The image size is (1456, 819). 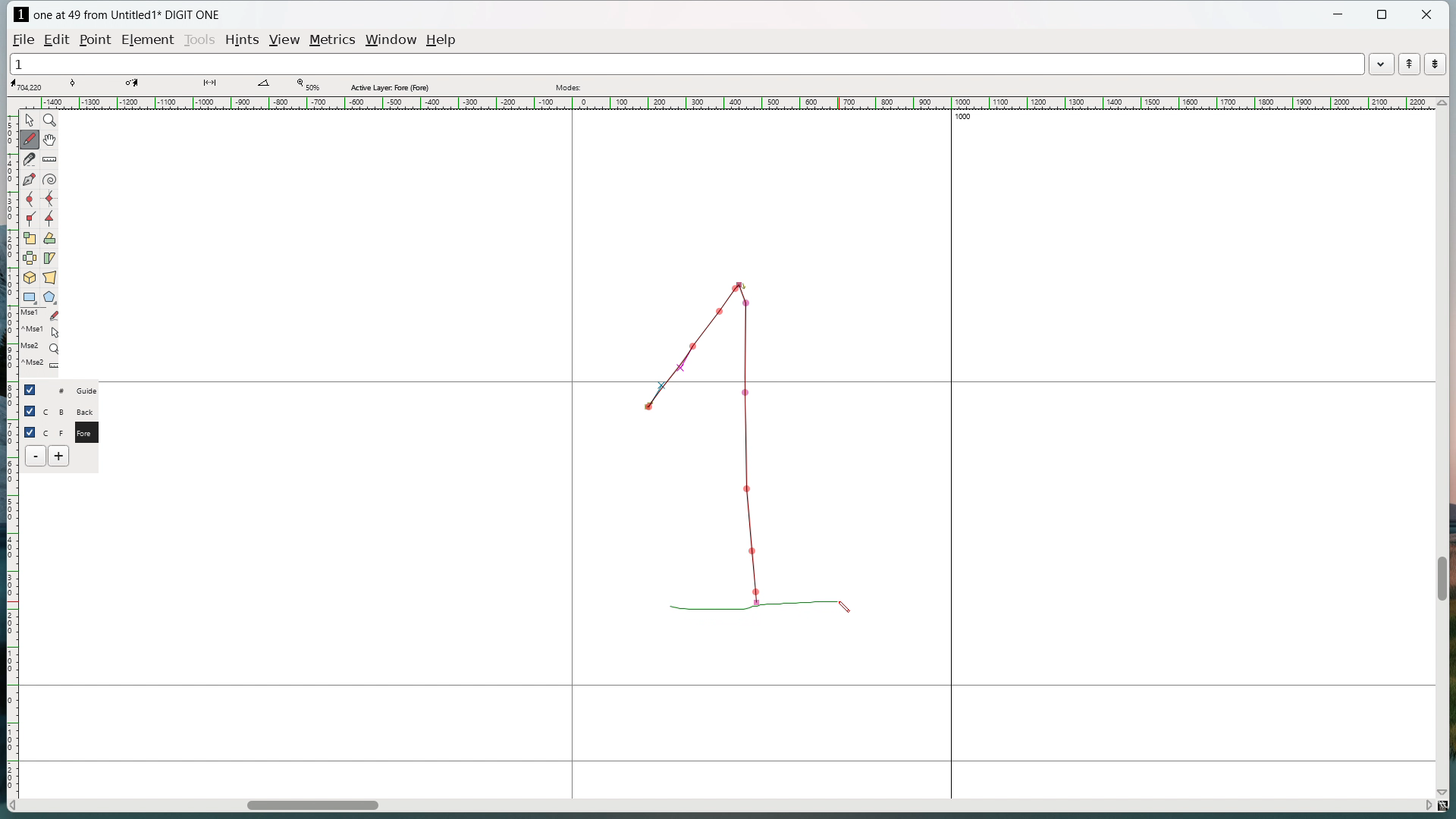 I want to click on distance between points, so click(x=219, y=85).